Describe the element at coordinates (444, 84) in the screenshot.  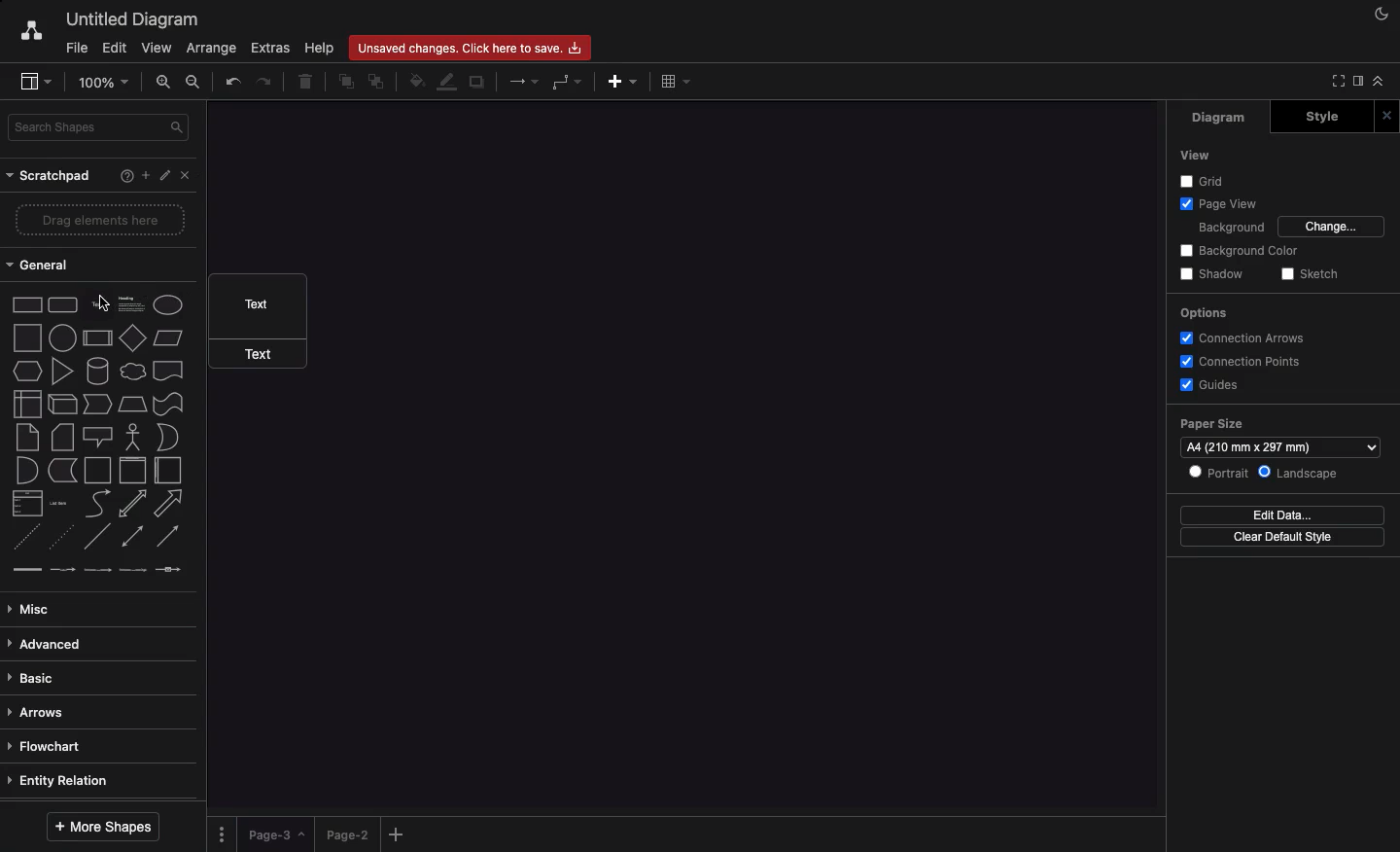
I see `Line color` at that location.